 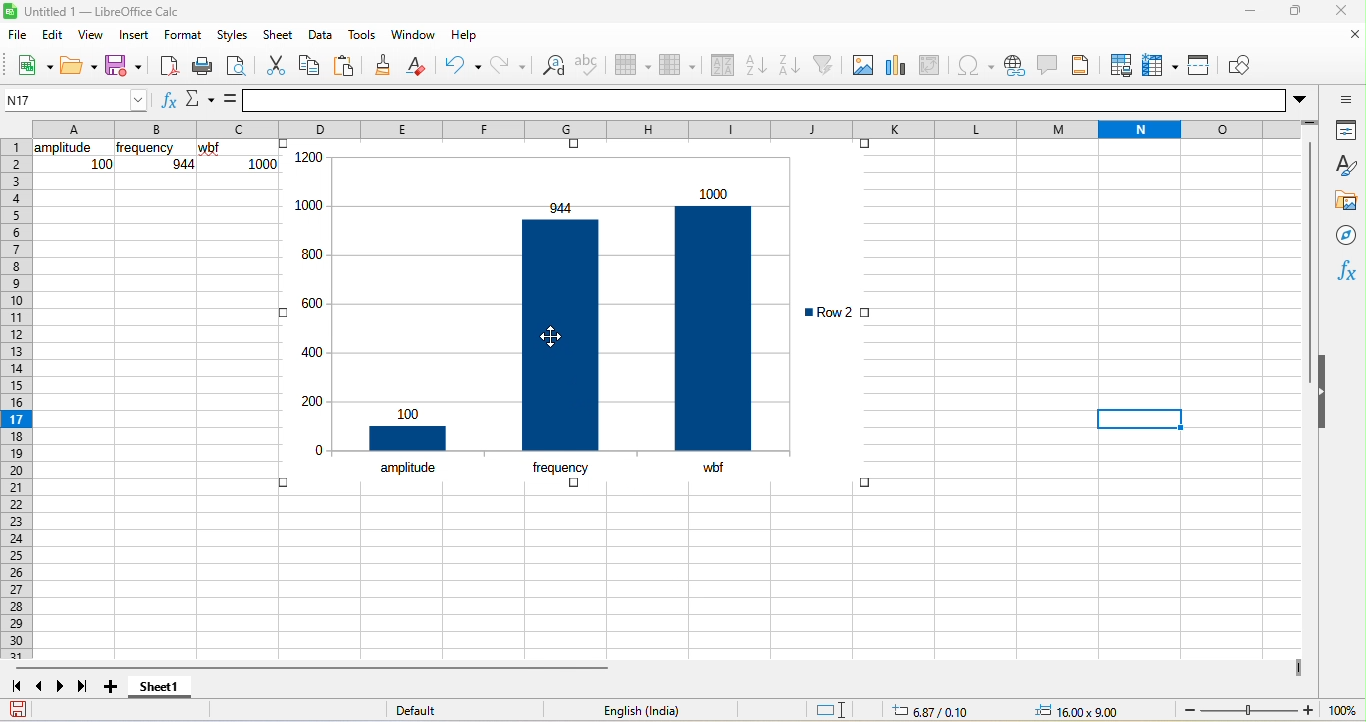 What do you see at coordinates (647, 709) in the screenshot?
I see `English (India)` at bounding box center [647, 709].